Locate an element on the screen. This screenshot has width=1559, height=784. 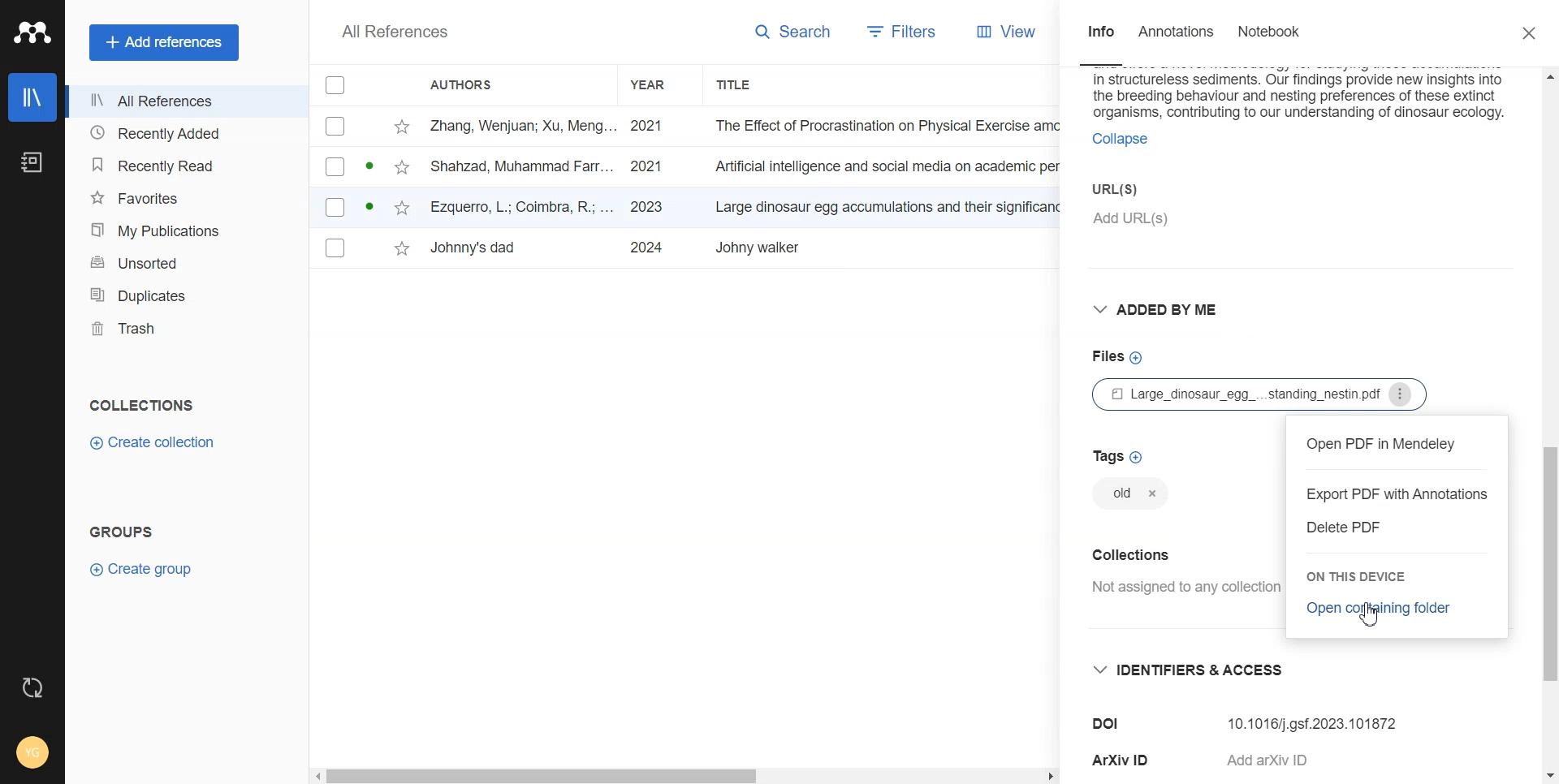
Show/Hide Added by me is located at coordinates (1162, 311).